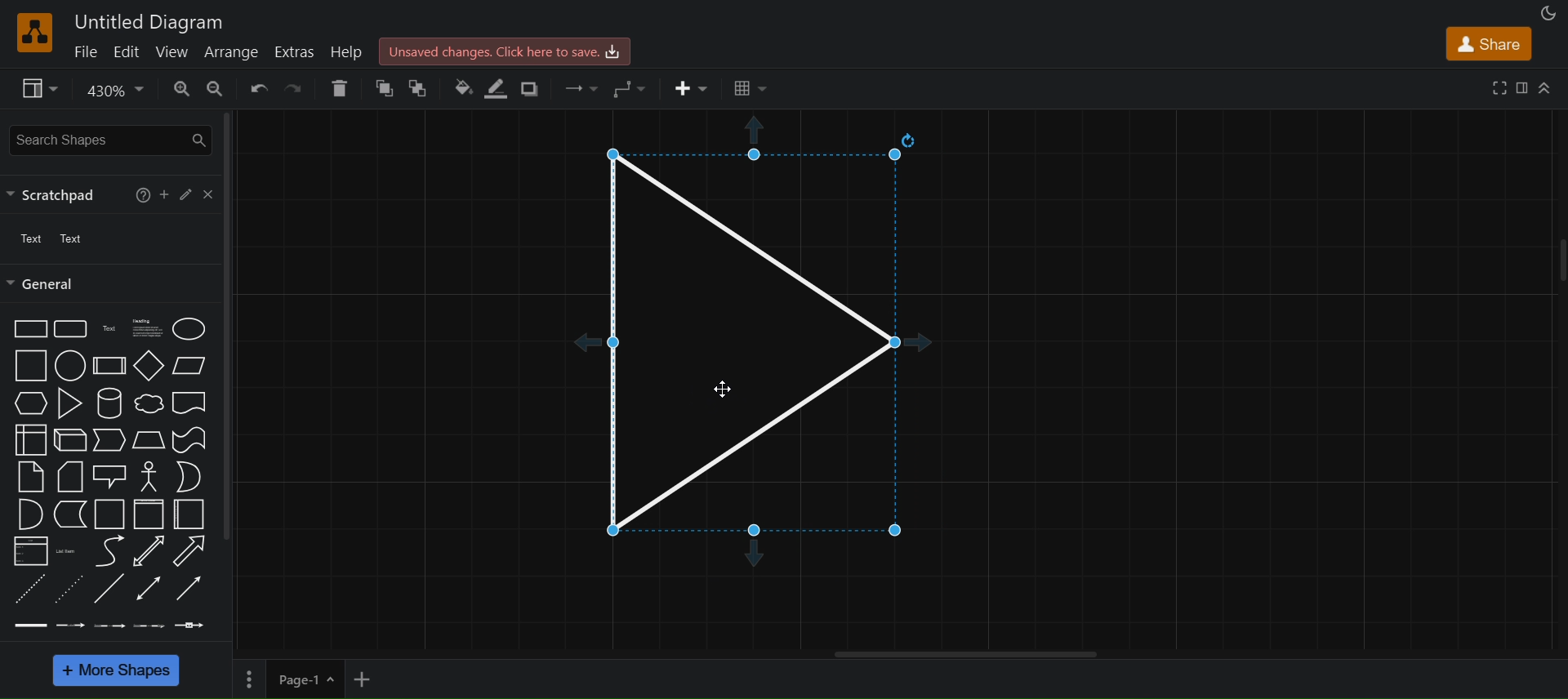  I want to click on edit, so click(128, 51).